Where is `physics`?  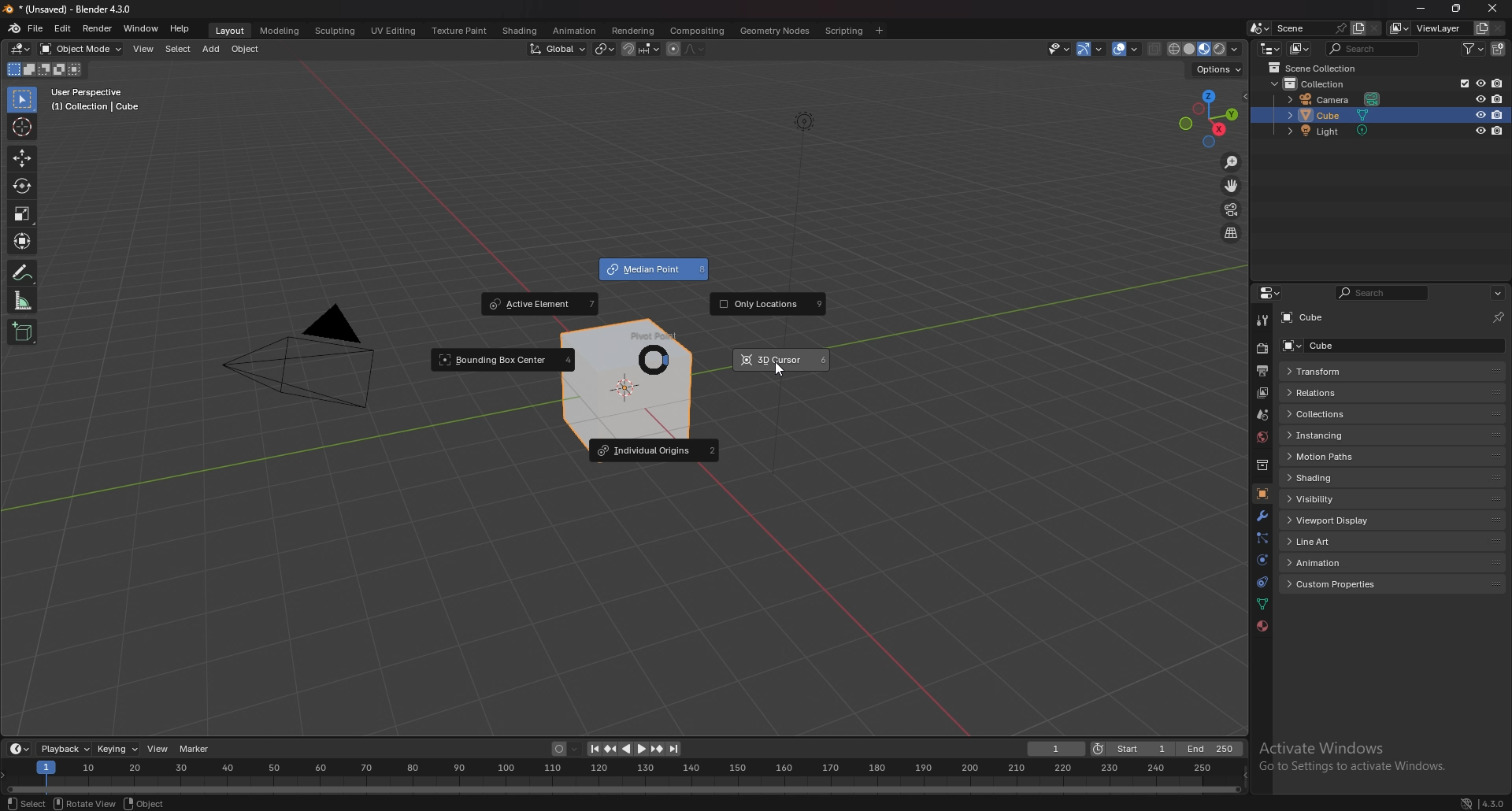 physics is located at coordinates (1260, 561).